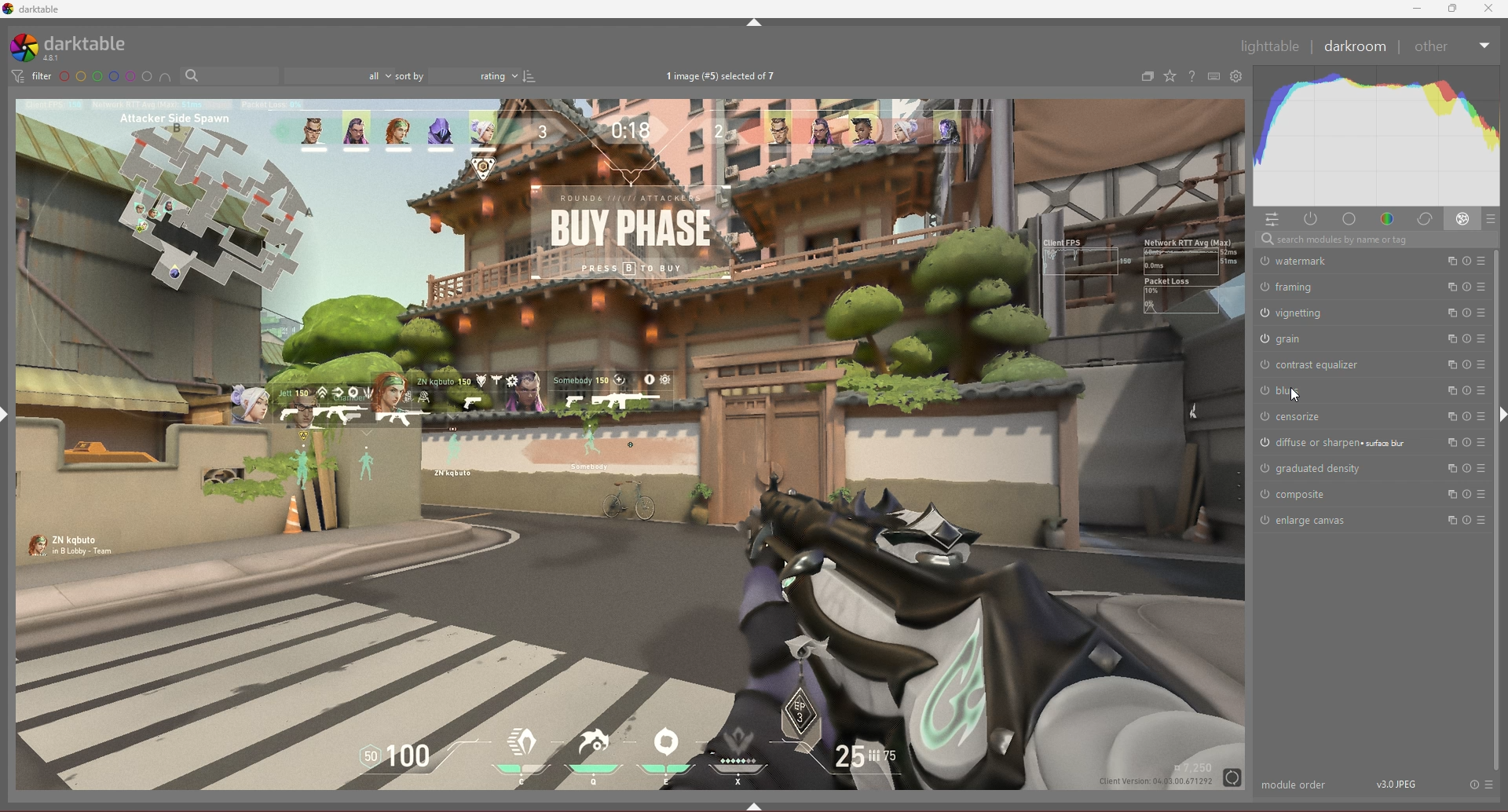 This screenshot has height=812, width=1508. What do you see at coordinates (1396, 784) in the screenshot?
I see `version` at bounding box center [1396, 784].